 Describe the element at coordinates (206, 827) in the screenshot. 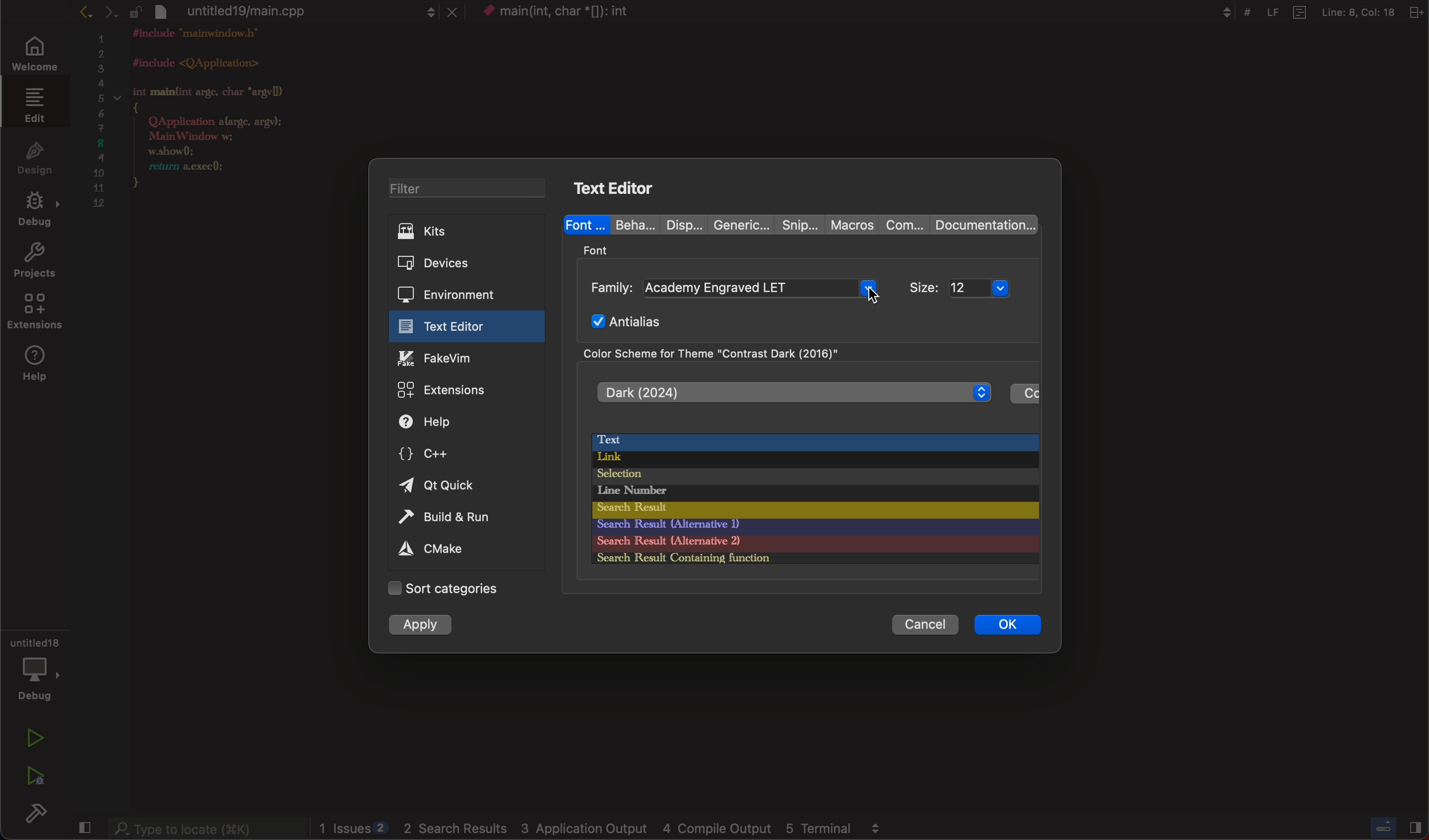

I see `searchbar` at that location.